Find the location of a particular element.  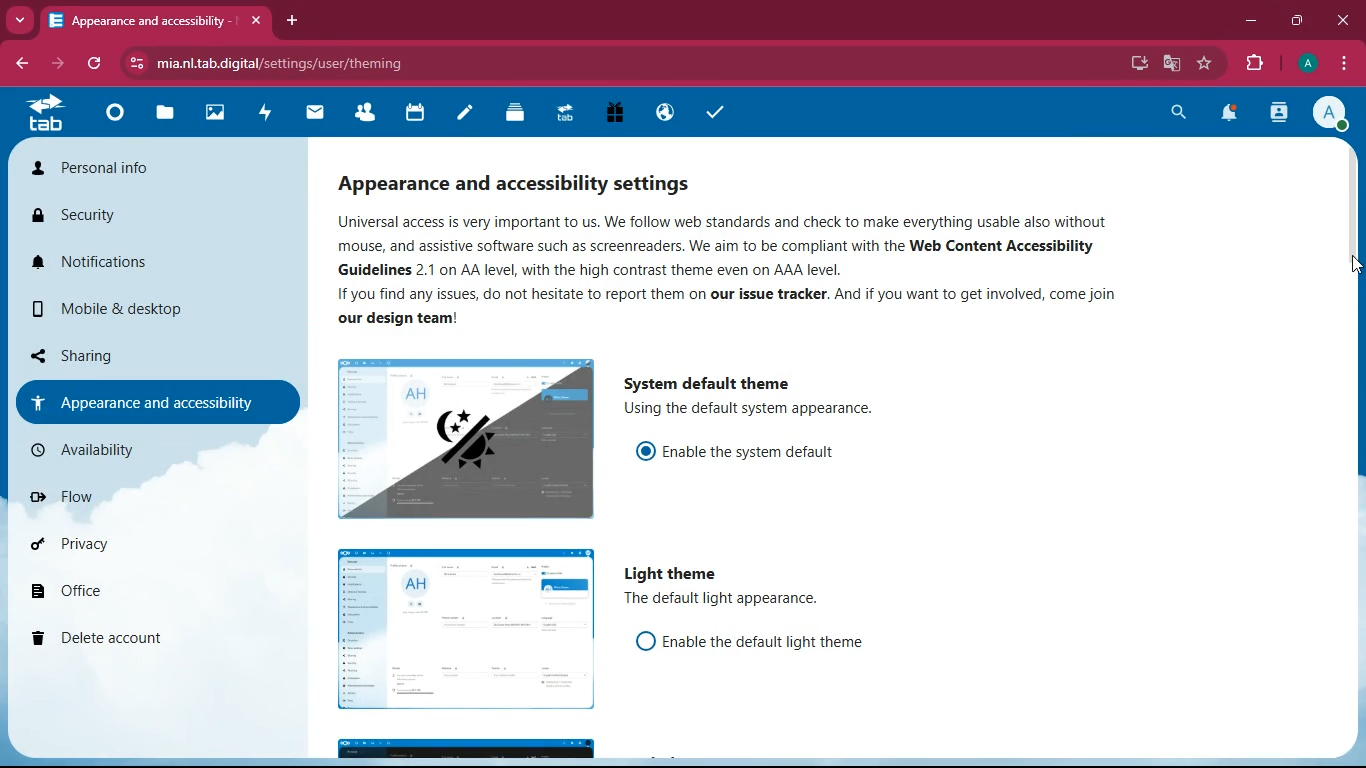

calendar is located at coordinates (412, 115).